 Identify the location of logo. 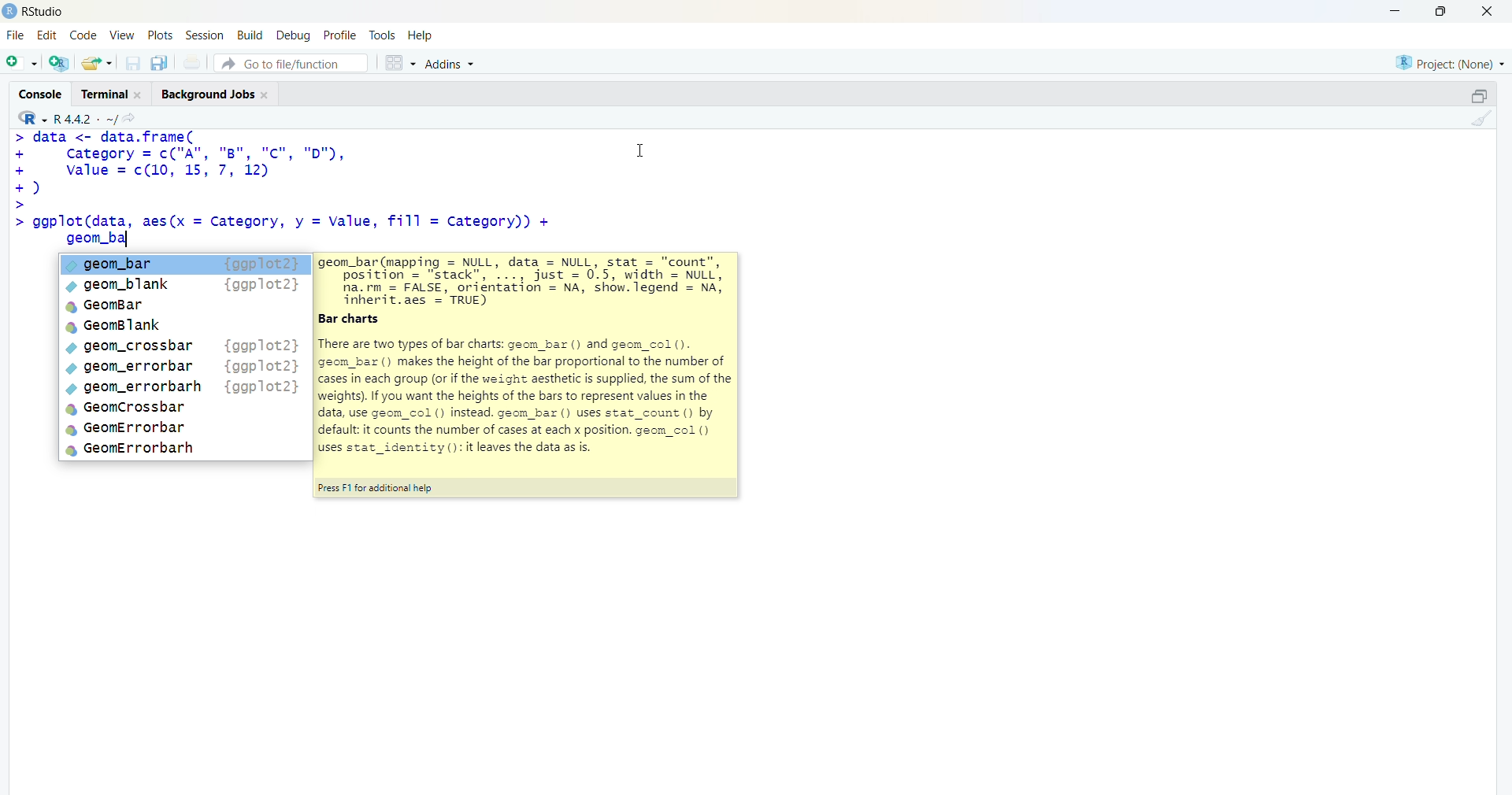
(10, 11).